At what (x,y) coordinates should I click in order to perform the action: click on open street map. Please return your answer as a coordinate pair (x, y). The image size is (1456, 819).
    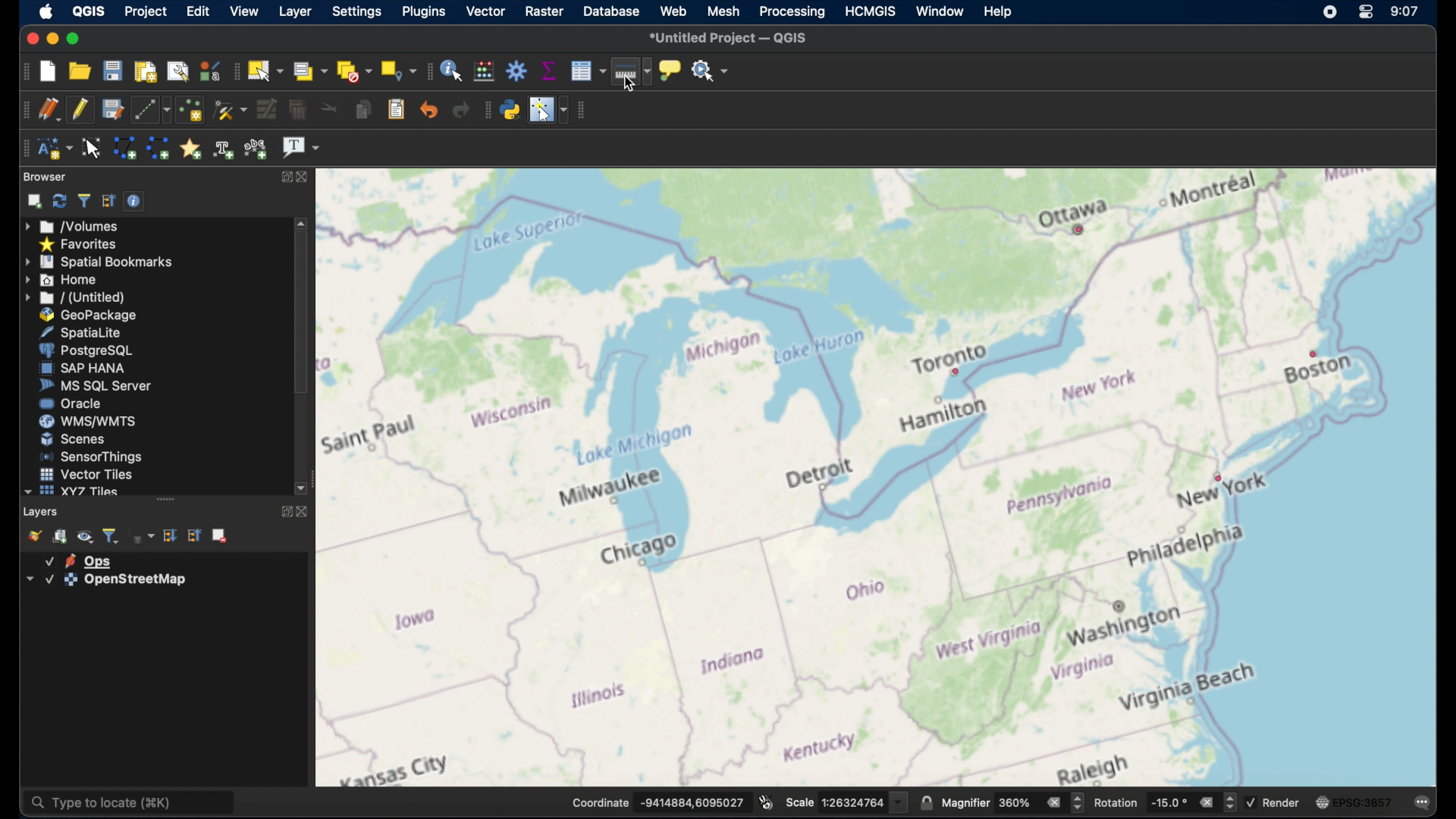
    Looking at the image, I should click on (1073, 453).